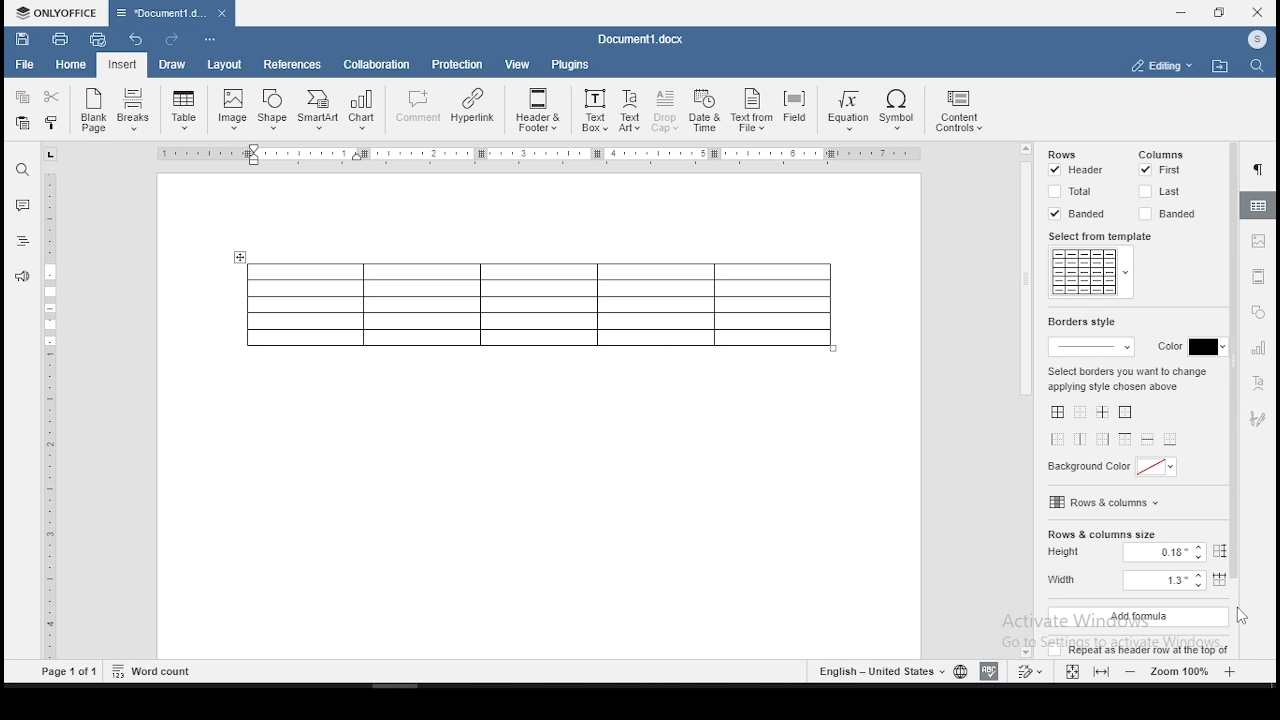 This screenshot has width=1280, height=720. What do you see at coordinates (751, 112) in the screenshot?
I see `Text From File` at bounding box center [751, 112].